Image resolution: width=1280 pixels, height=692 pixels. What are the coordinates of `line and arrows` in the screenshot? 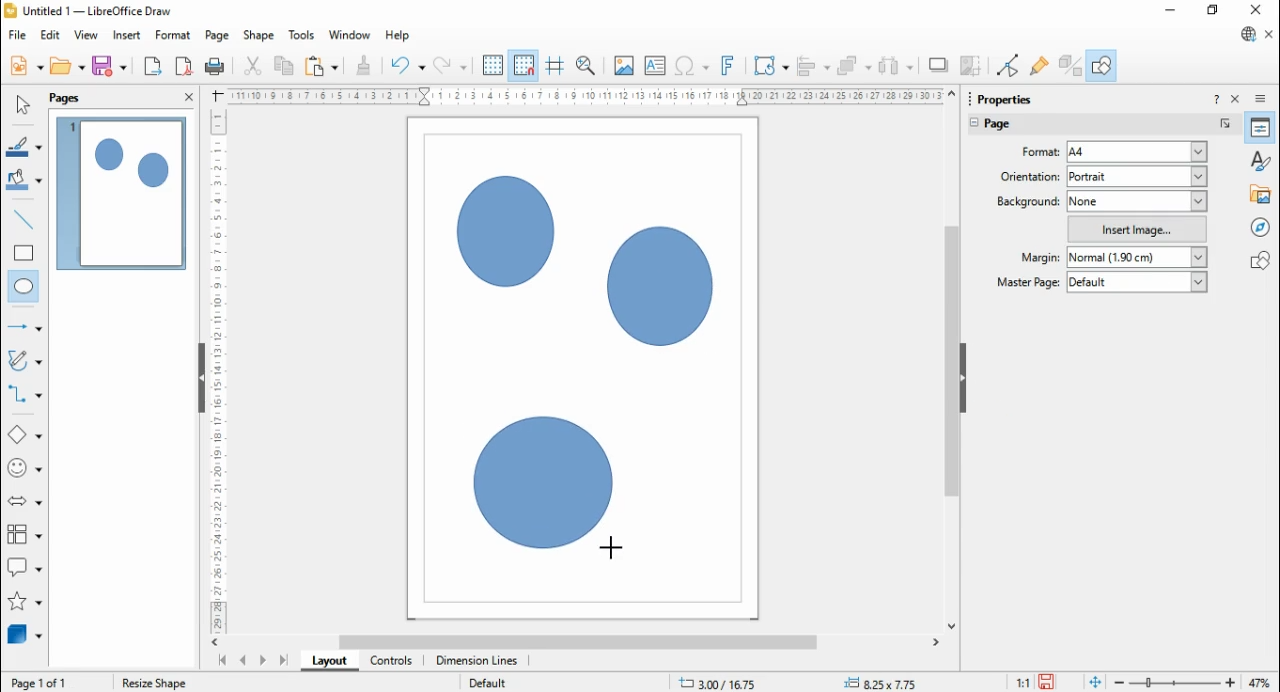 It's located at (25, 327).